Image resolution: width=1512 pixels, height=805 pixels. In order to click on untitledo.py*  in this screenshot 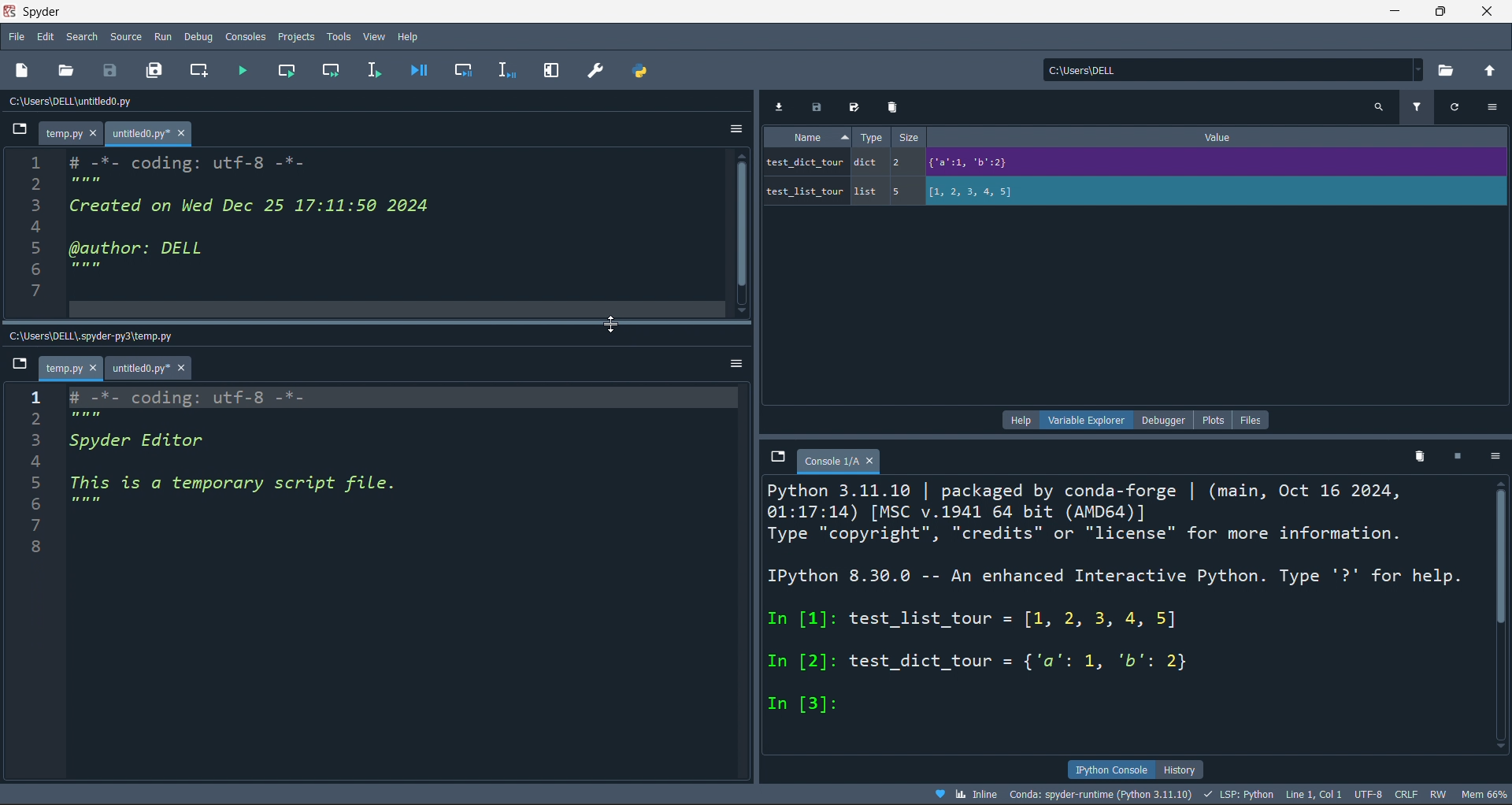, I will do `click(152, 369)`.